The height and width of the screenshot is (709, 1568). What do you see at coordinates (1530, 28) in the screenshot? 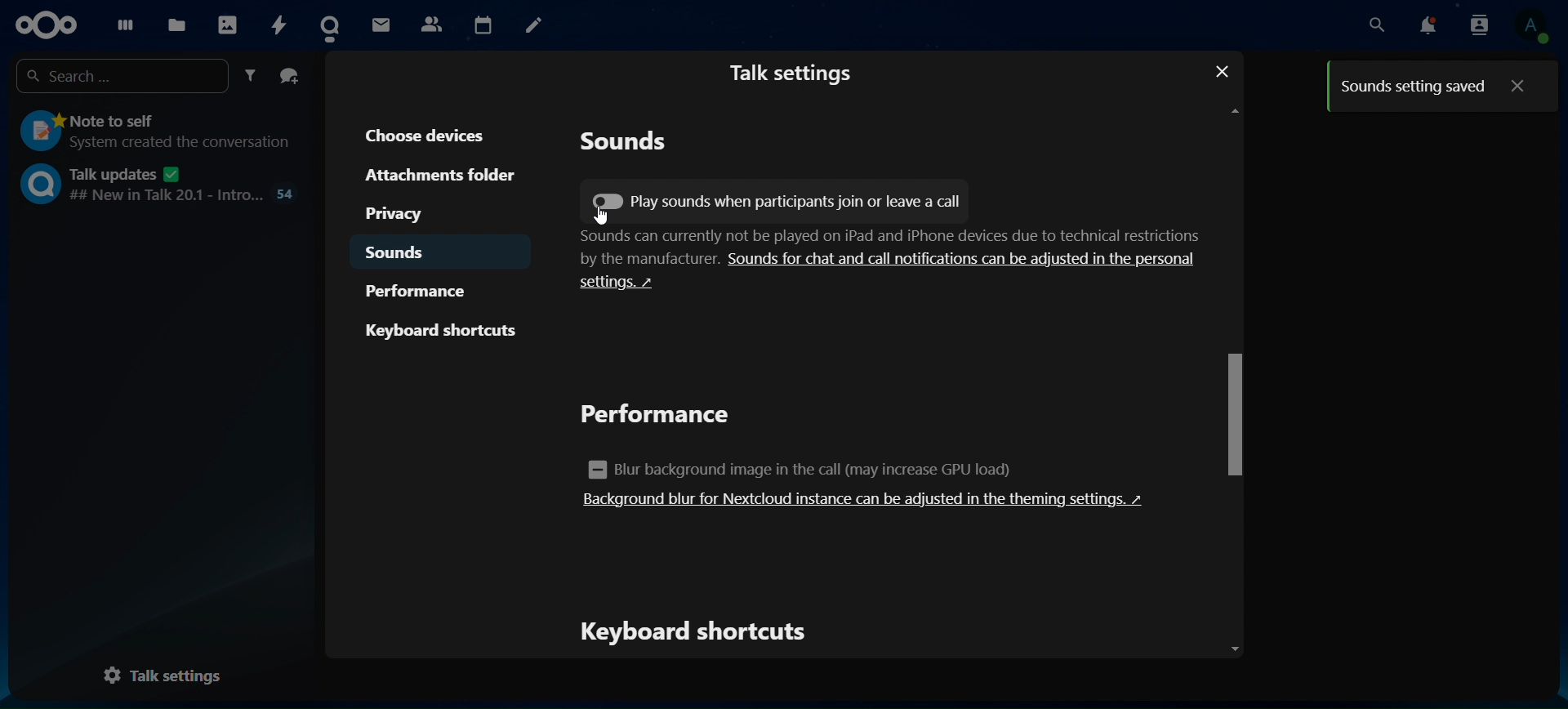
I see `view profile` at bounding box center [1530, 28].